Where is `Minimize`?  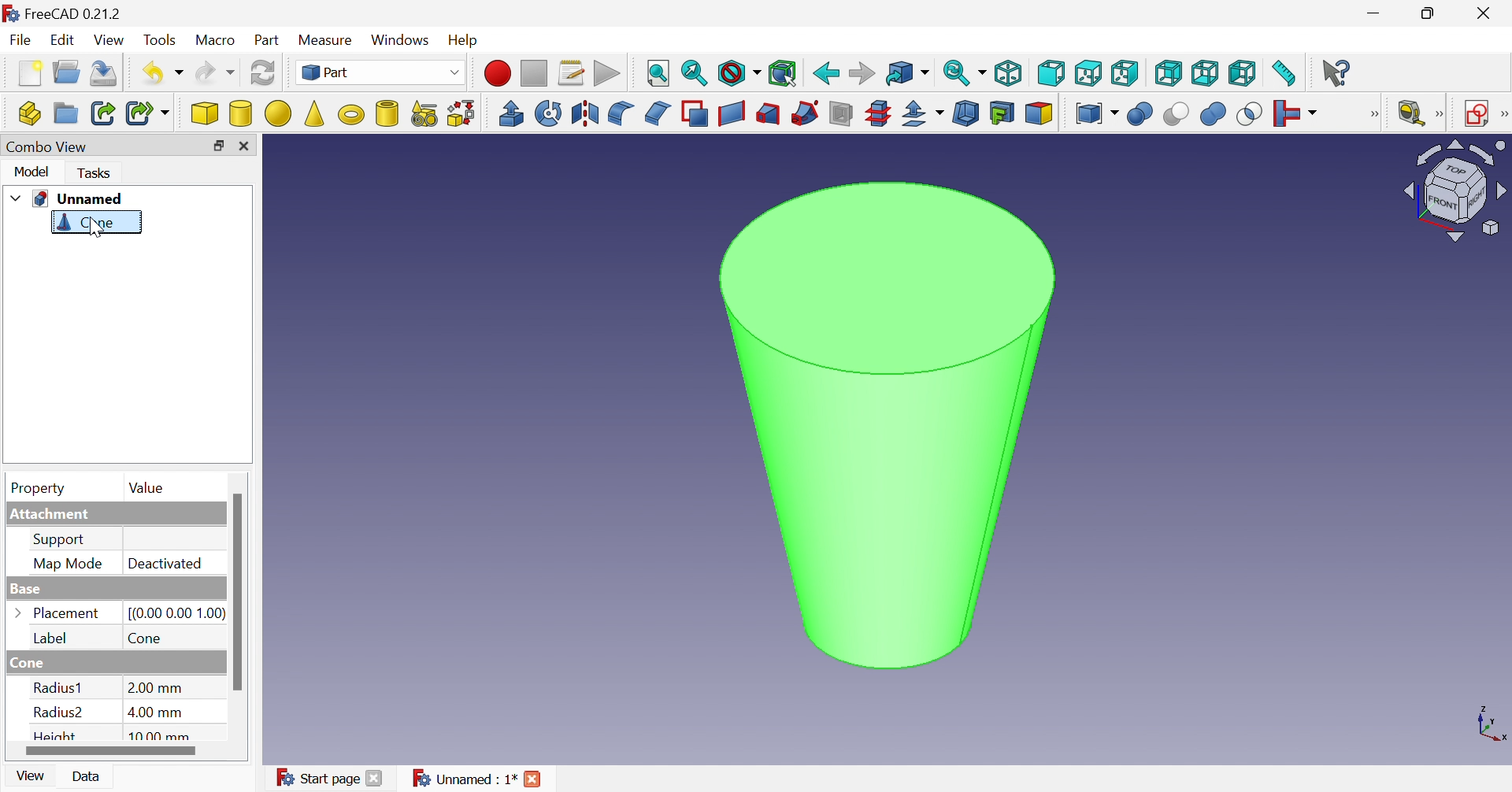
Minimize is located at coordinates (1373, 13).